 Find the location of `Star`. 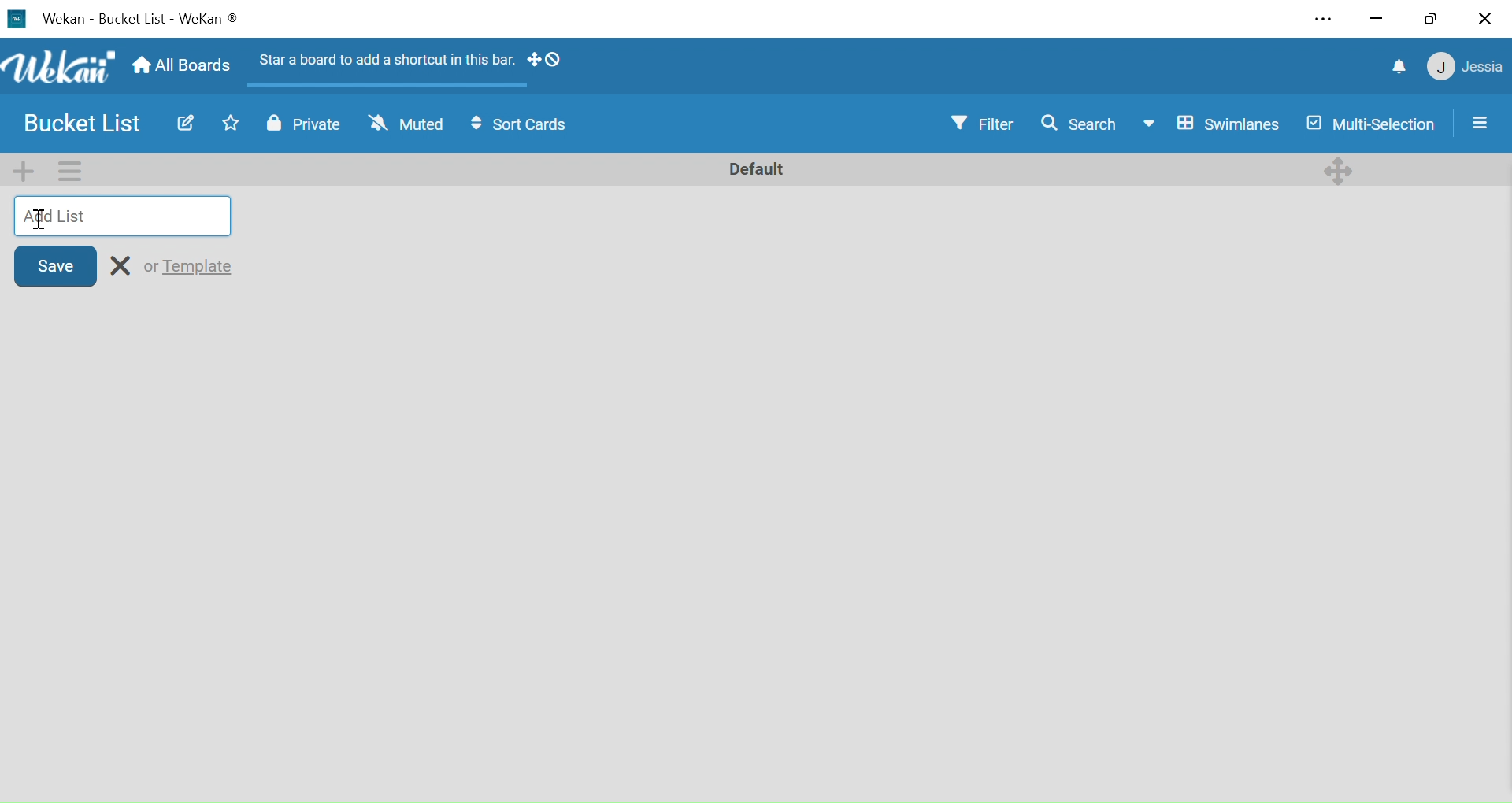

Star is located at coordinates (225, 124).